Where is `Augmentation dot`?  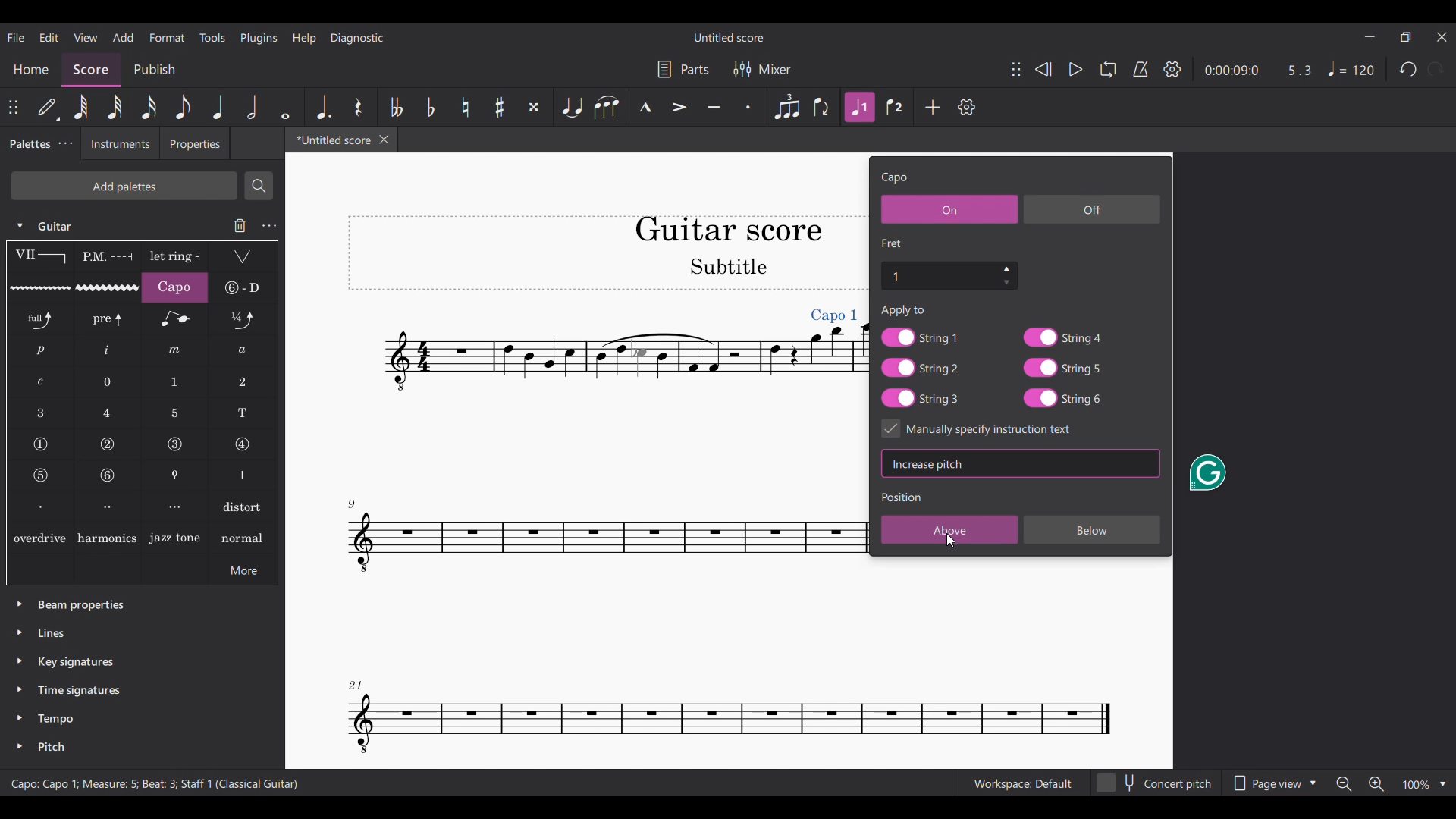
Augmentation dot is located at coordinates (322, 107).